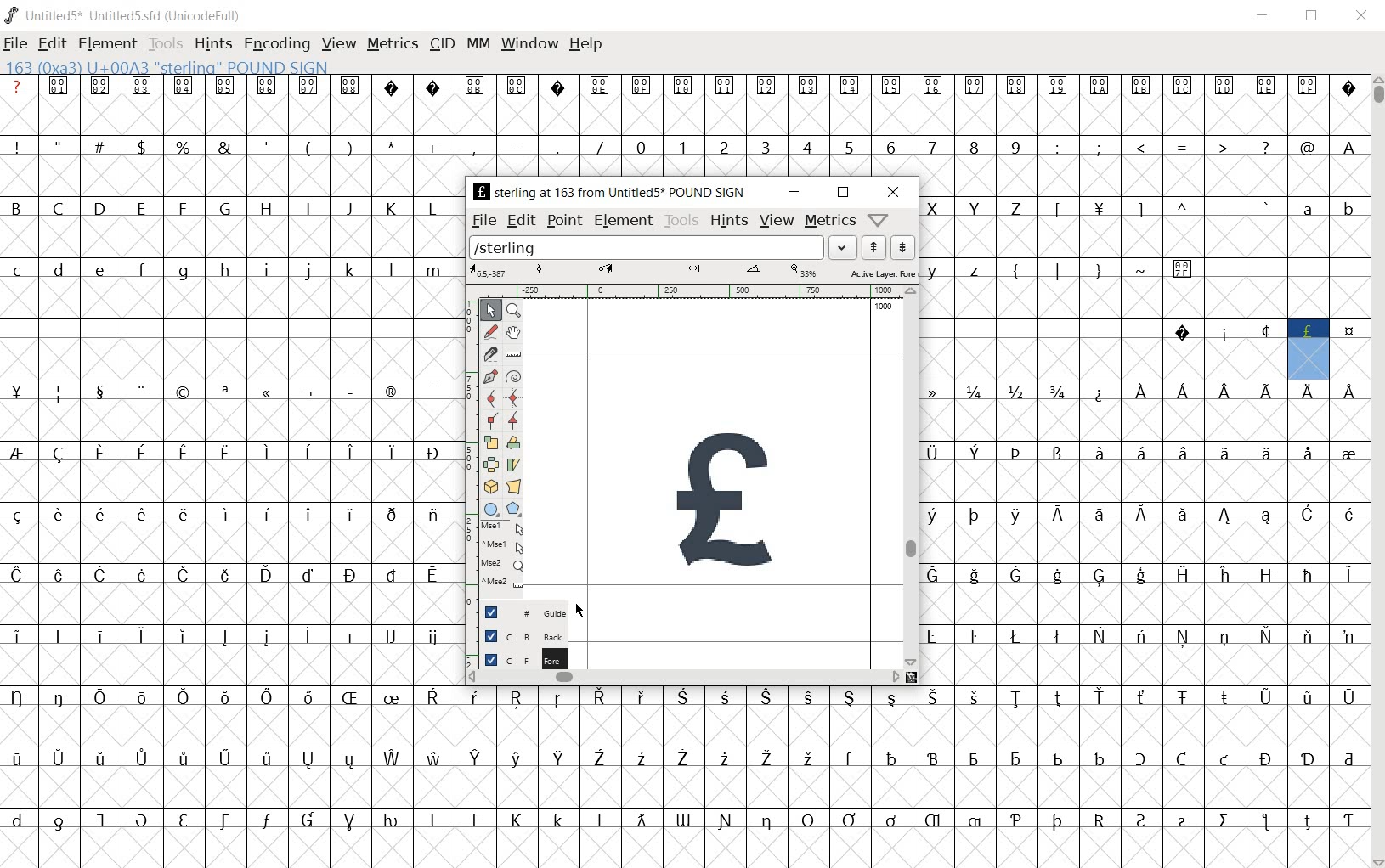 Image resolution: width=1385 pixels, height=868 pixels. What do you see at coordinates (227, 146) in the screenshot?
I see `&` at bounding box center [227, 146].